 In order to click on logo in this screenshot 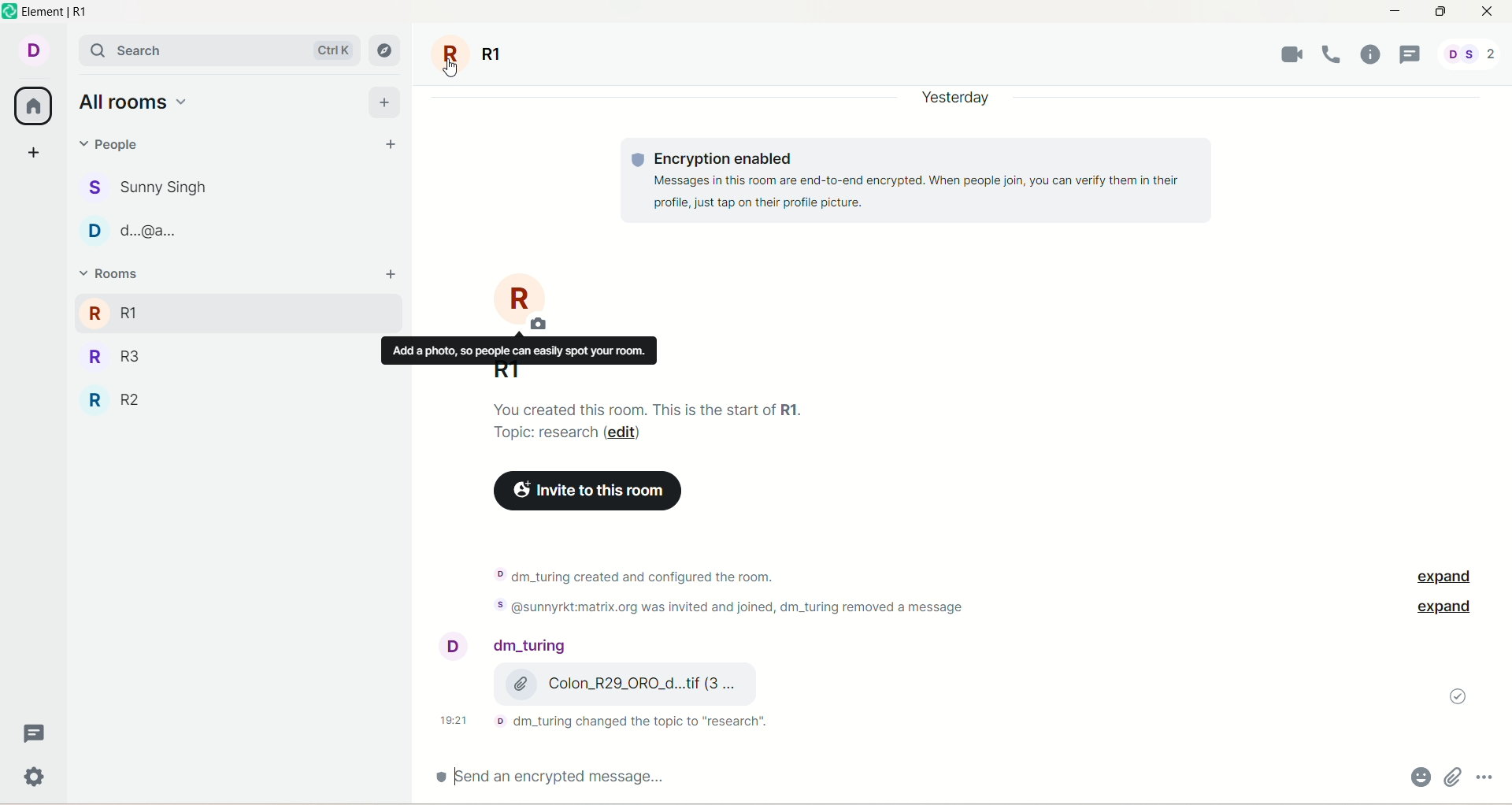, I will do `click(10, 12)`.